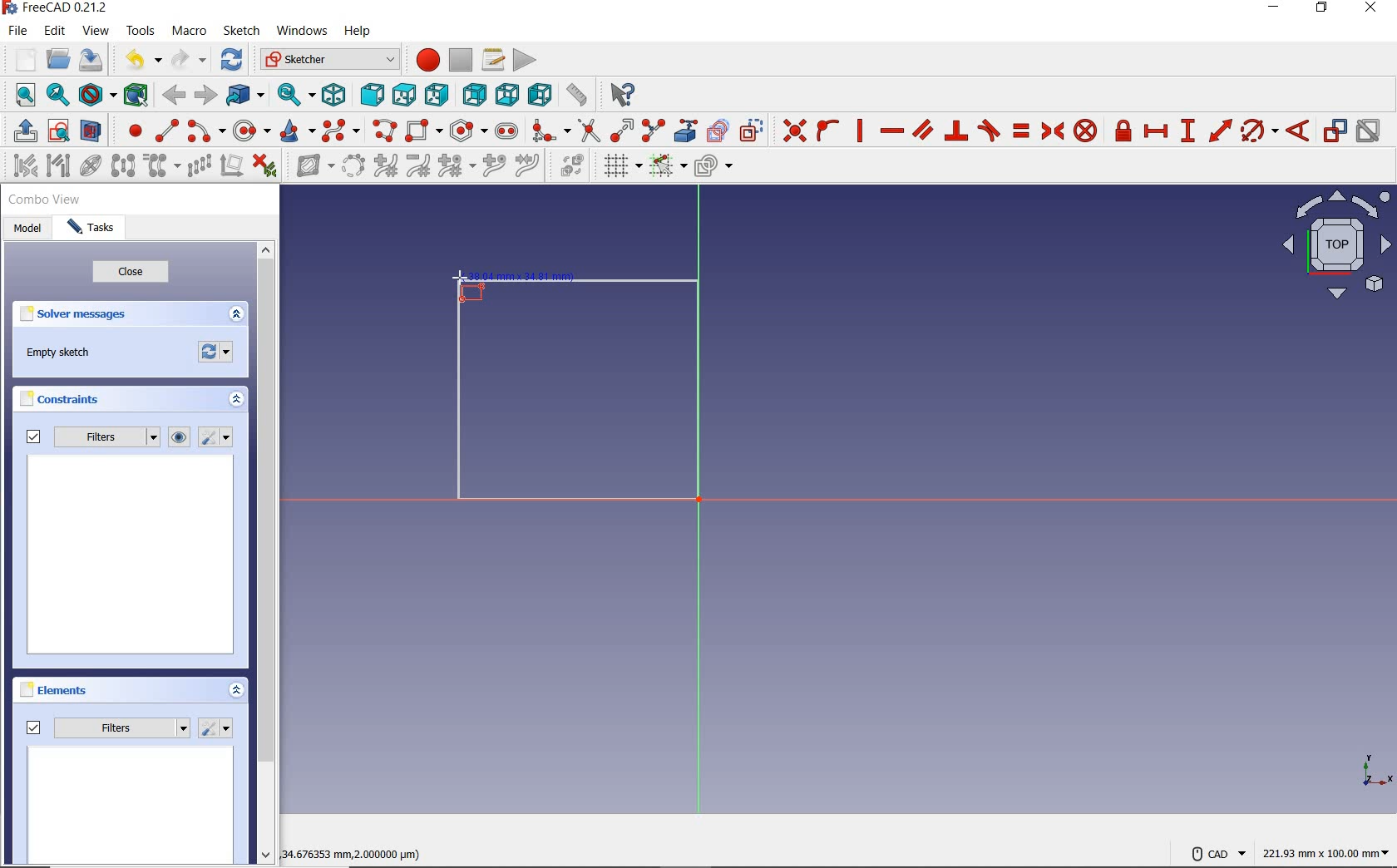 The height and width of the screenshot is (868, 1397). Describe the element at coordinates (233, 61) in the screenshot. I see `refresh` at that location.